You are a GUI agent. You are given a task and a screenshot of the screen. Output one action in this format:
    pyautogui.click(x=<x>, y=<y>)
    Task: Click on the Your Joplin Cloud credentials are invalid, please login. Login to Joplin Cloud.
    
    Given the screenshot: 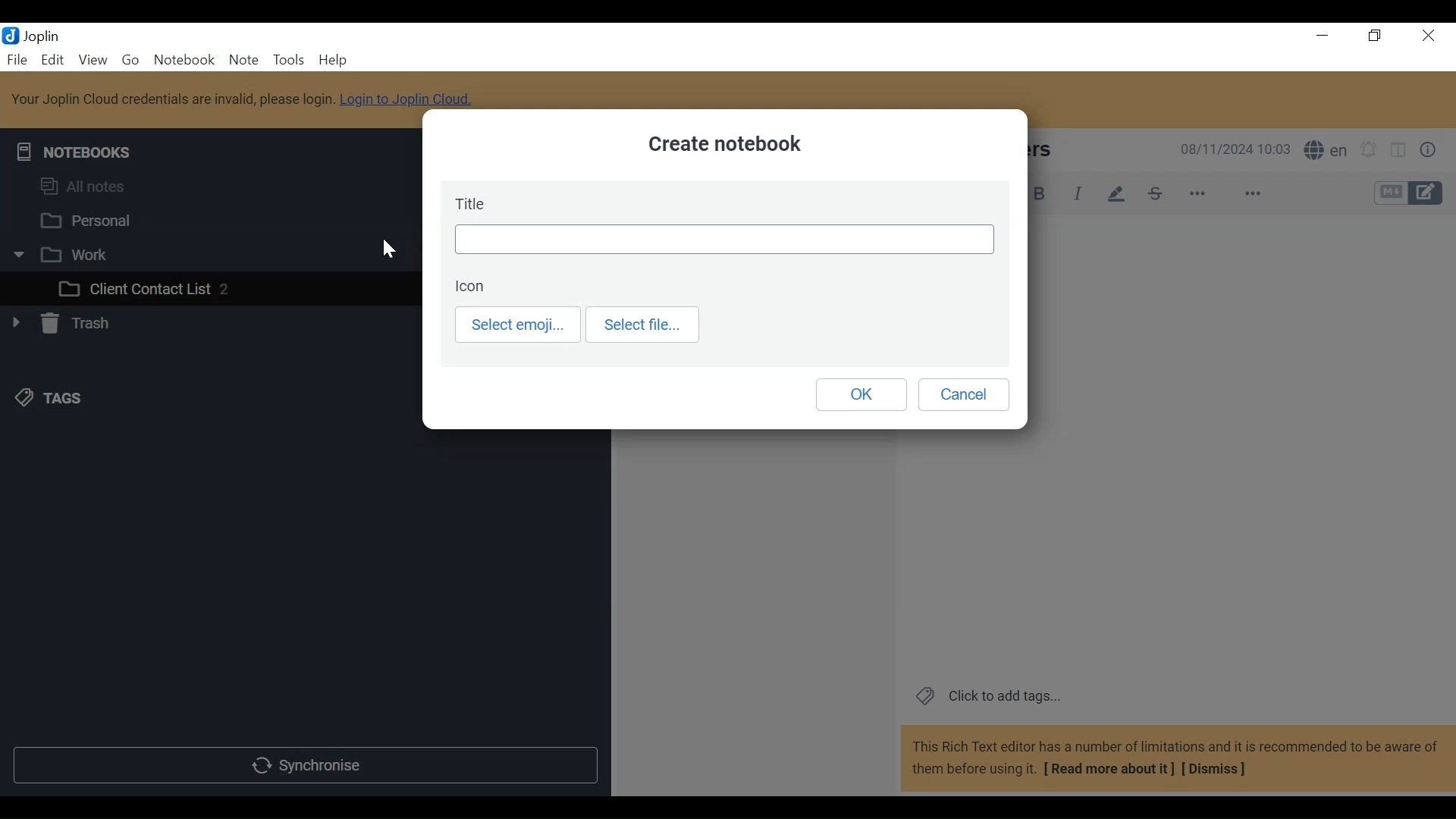 What is the action you would take?
    pyautogui.click(x=246, y=99)
    